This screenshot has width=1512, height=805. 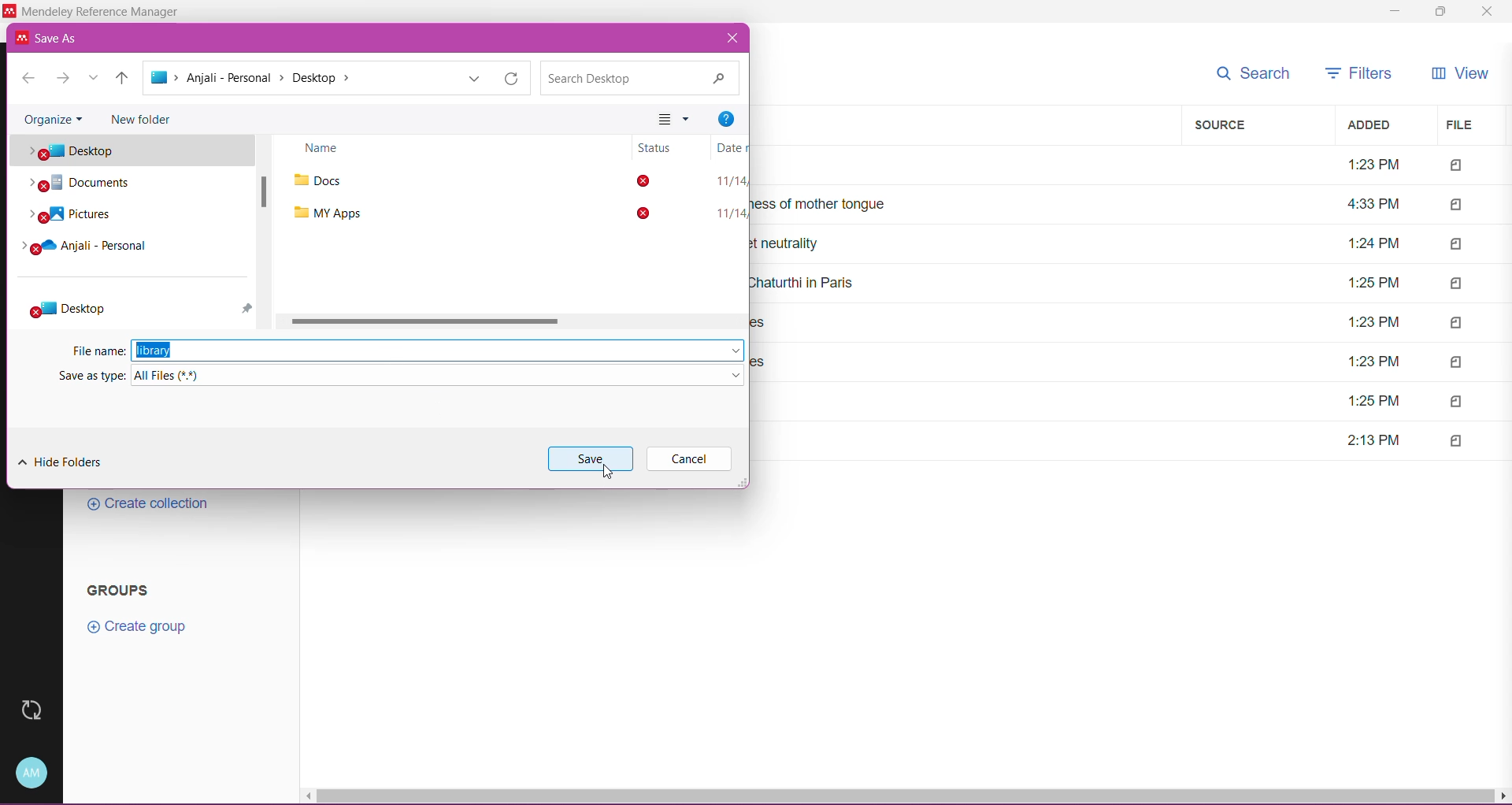 I want to click on Account and Help, so click(x=36, y=772).